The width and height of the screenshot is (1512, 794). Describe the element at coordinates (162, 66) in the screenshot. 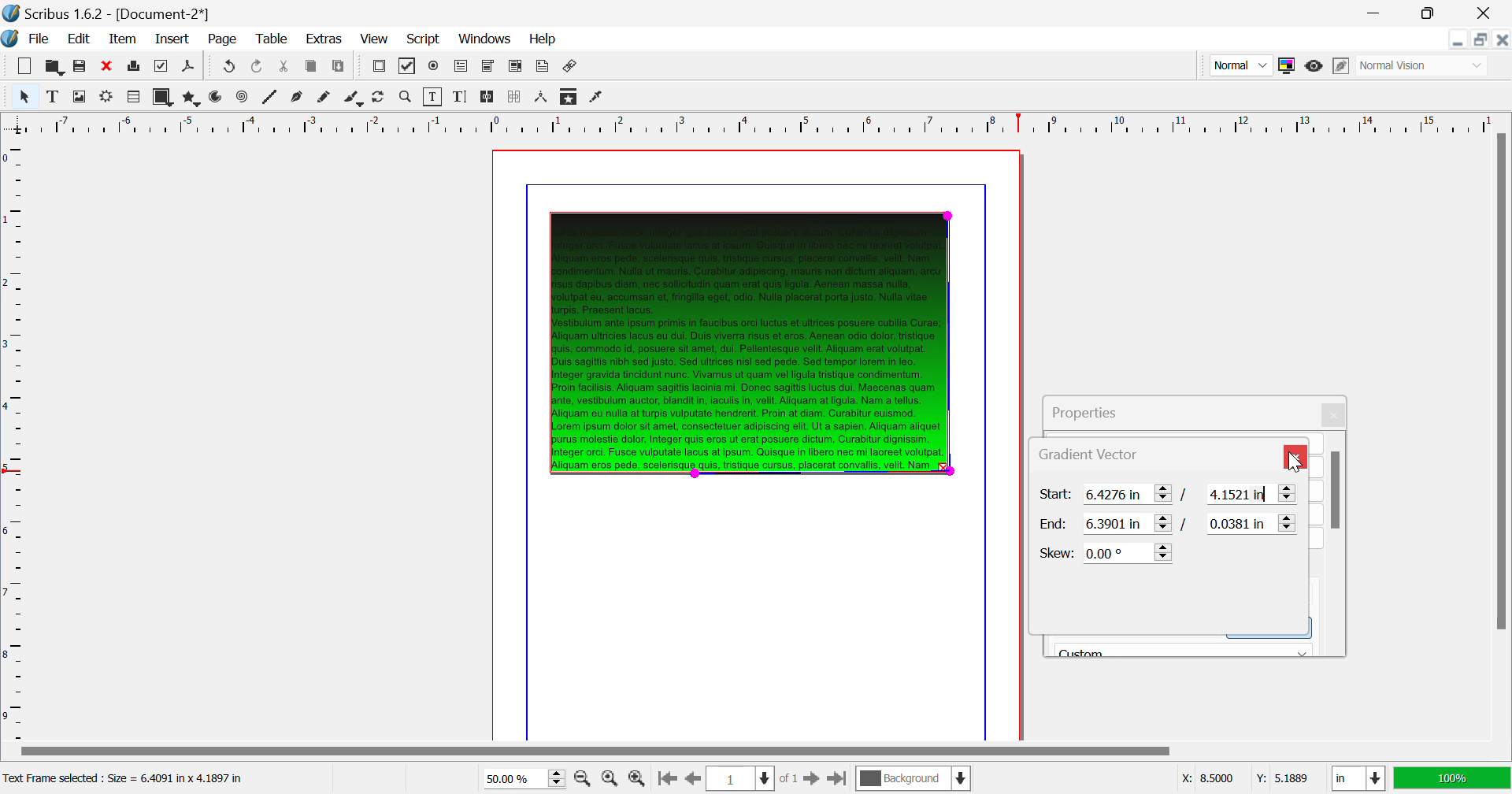

I see `Preflight Verifier` at that location.